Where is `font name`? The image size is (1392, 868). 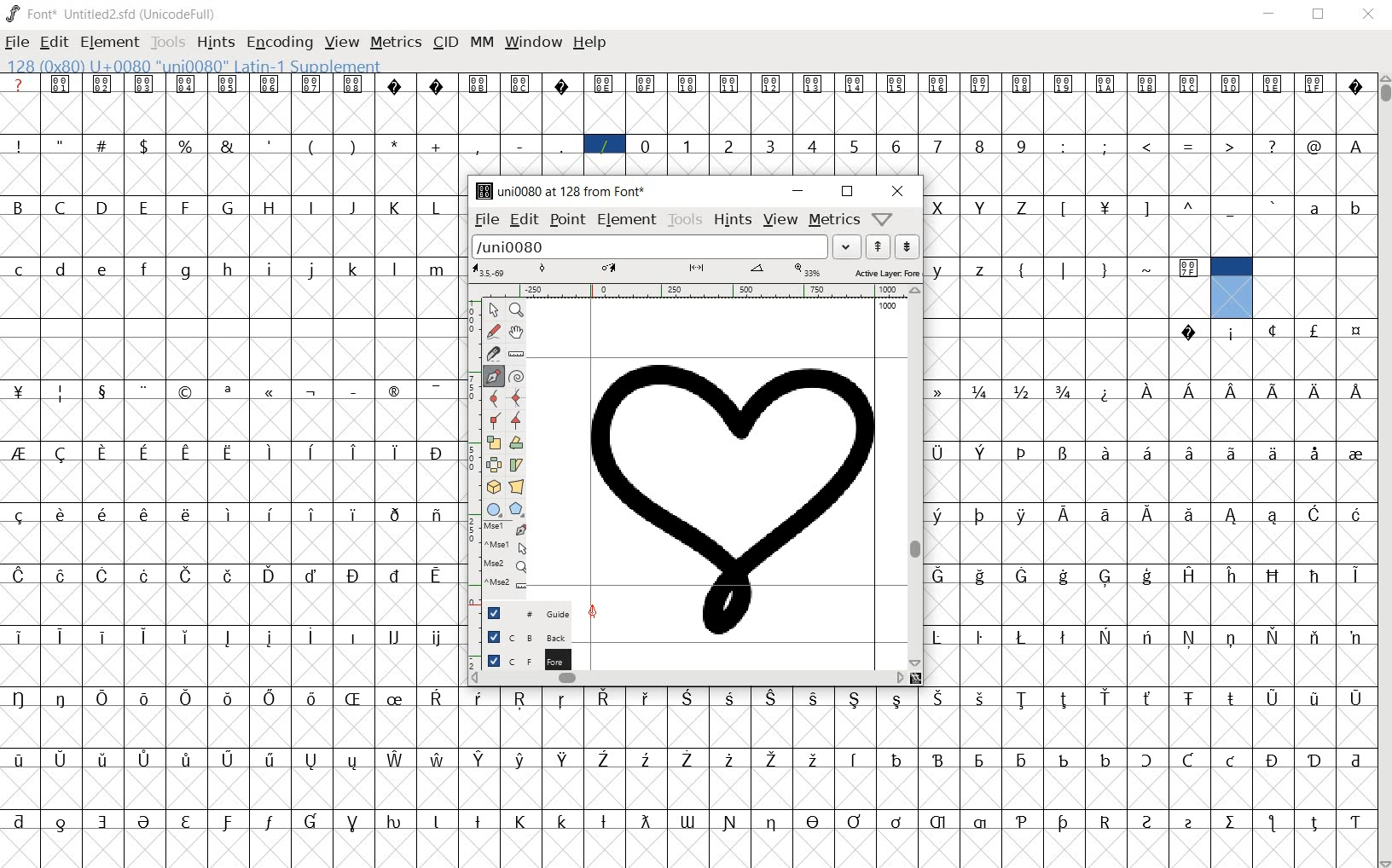
font name is located at coordinates (100, 11).